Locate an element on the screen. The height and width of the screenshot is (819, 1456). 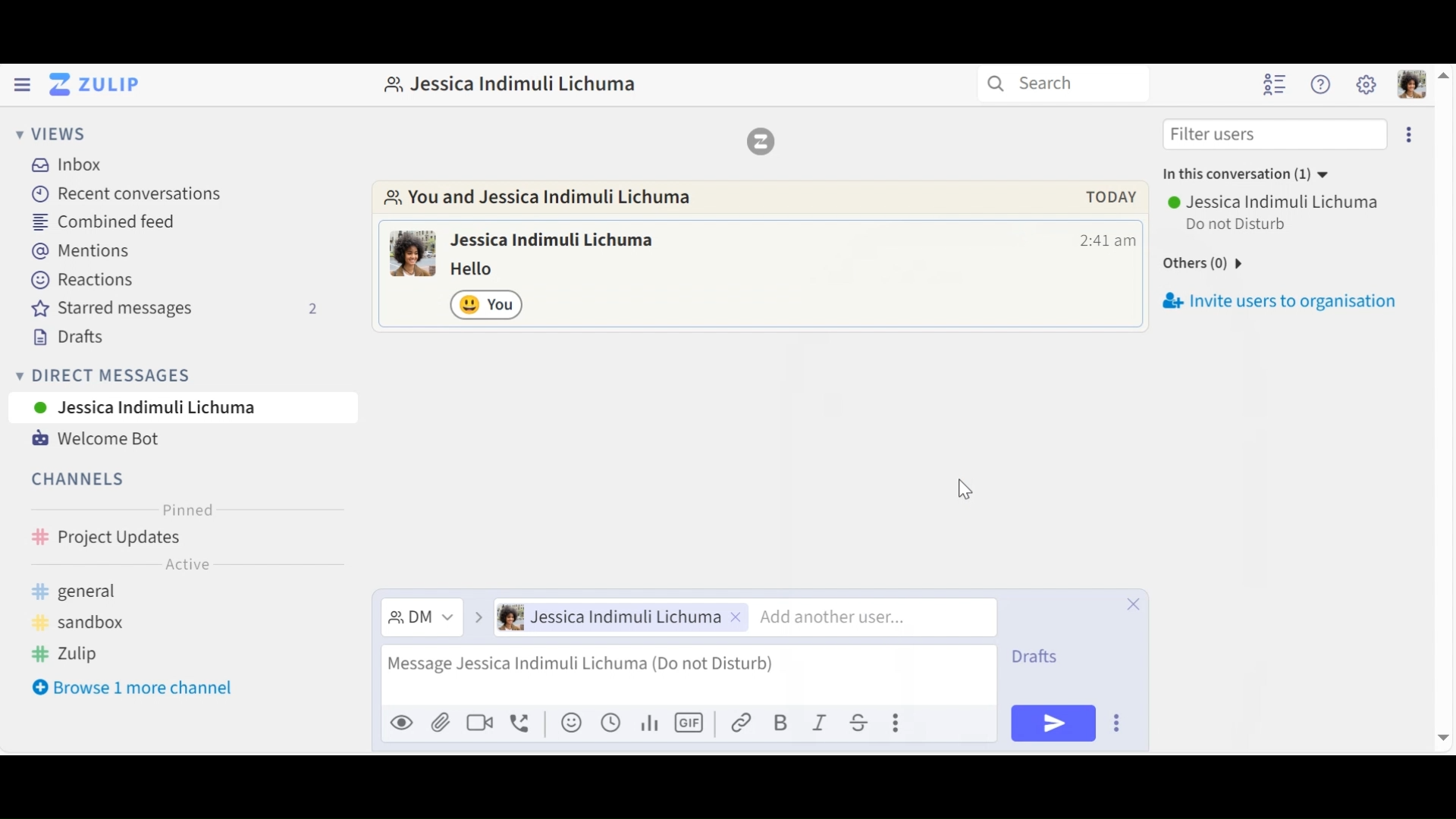
Go to Direct Message with this user is located at coordinates (549, 200).